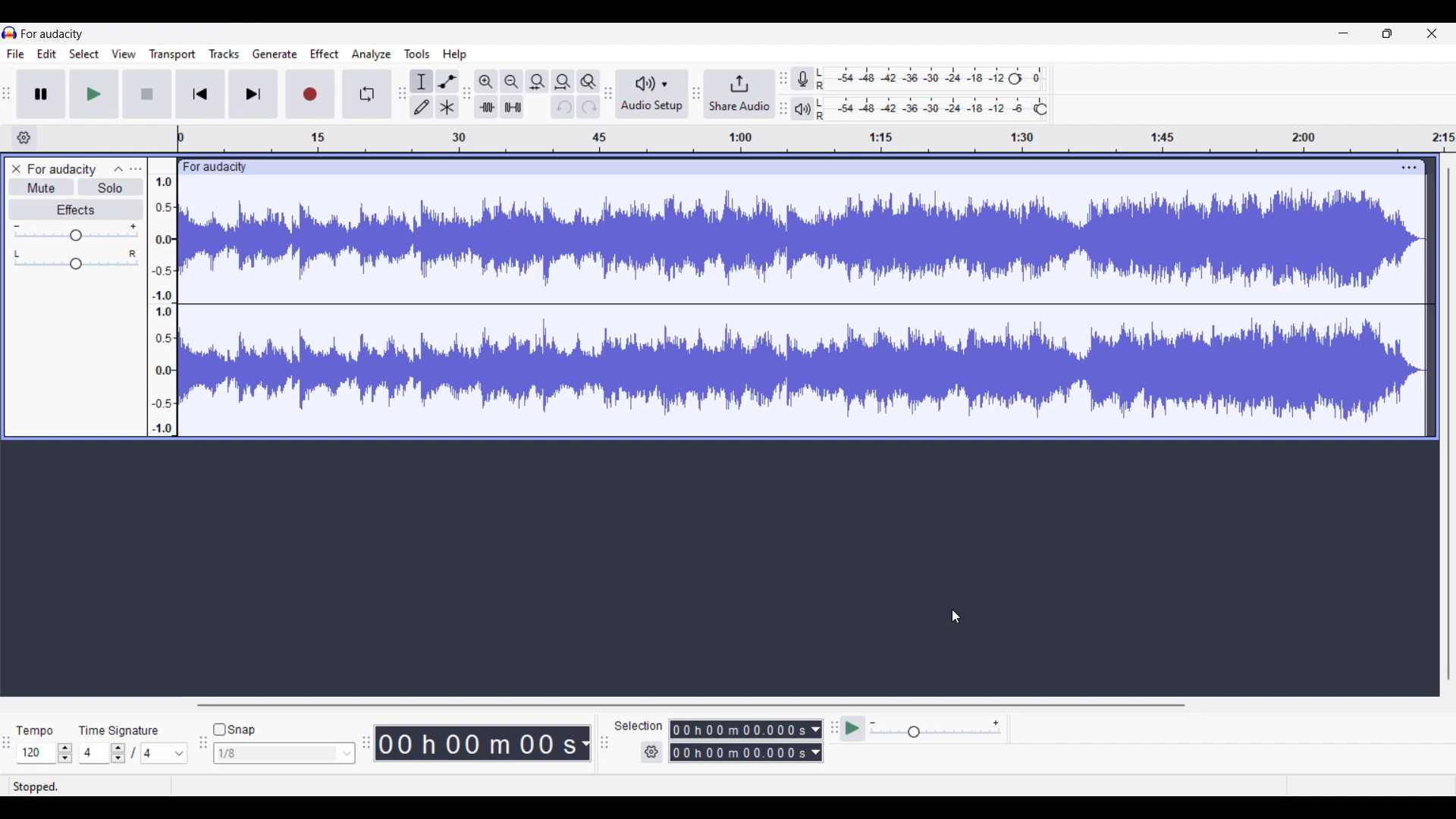  What do you see at coordinates (588, 82) in the screenshot?
I see `Zoom toggle` at bounding box center [588, 82].